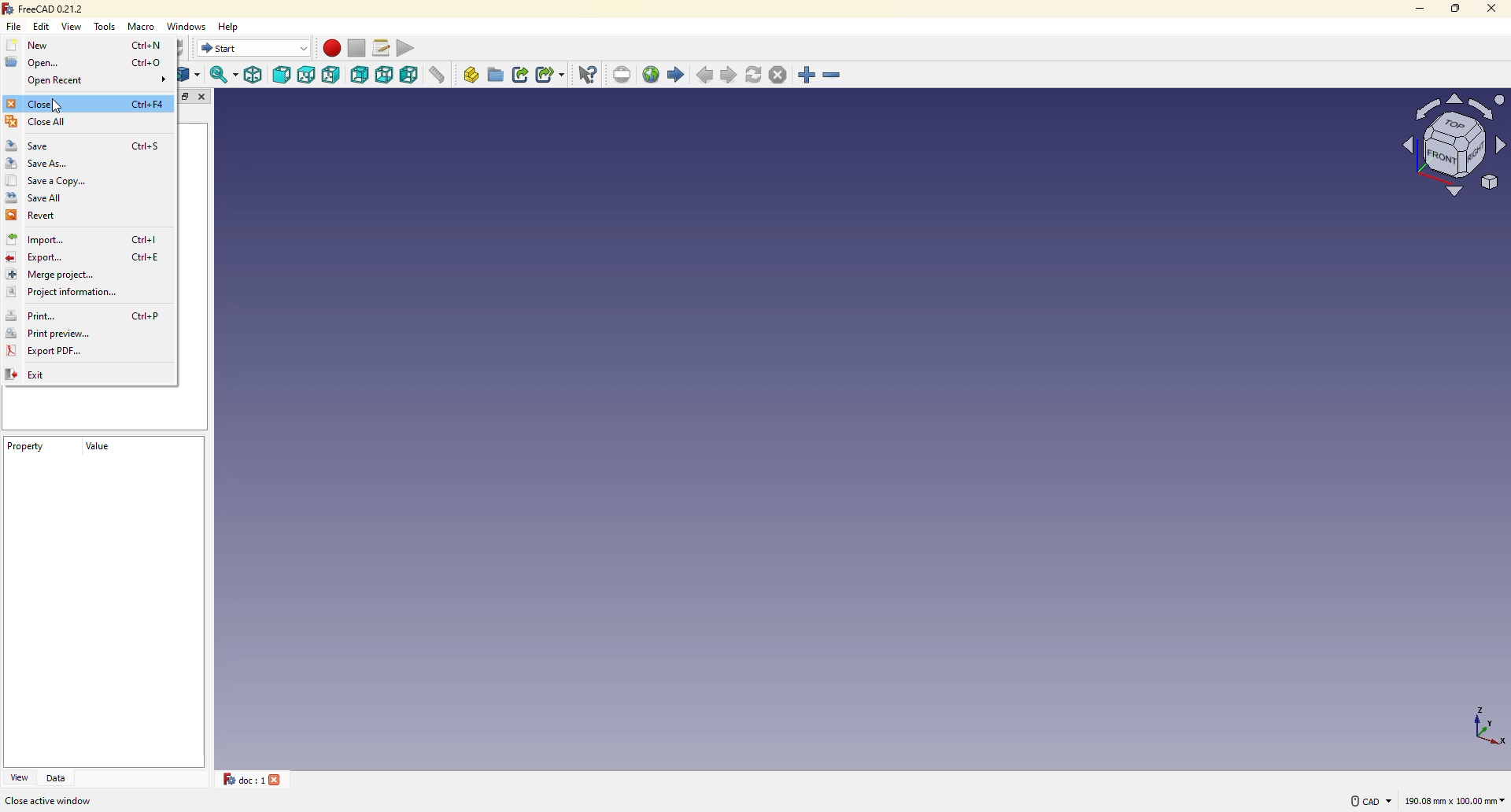  What do you see at coordinates (730, 76) in the screenshot?
I see `next page` at bounding box center [730, 76].